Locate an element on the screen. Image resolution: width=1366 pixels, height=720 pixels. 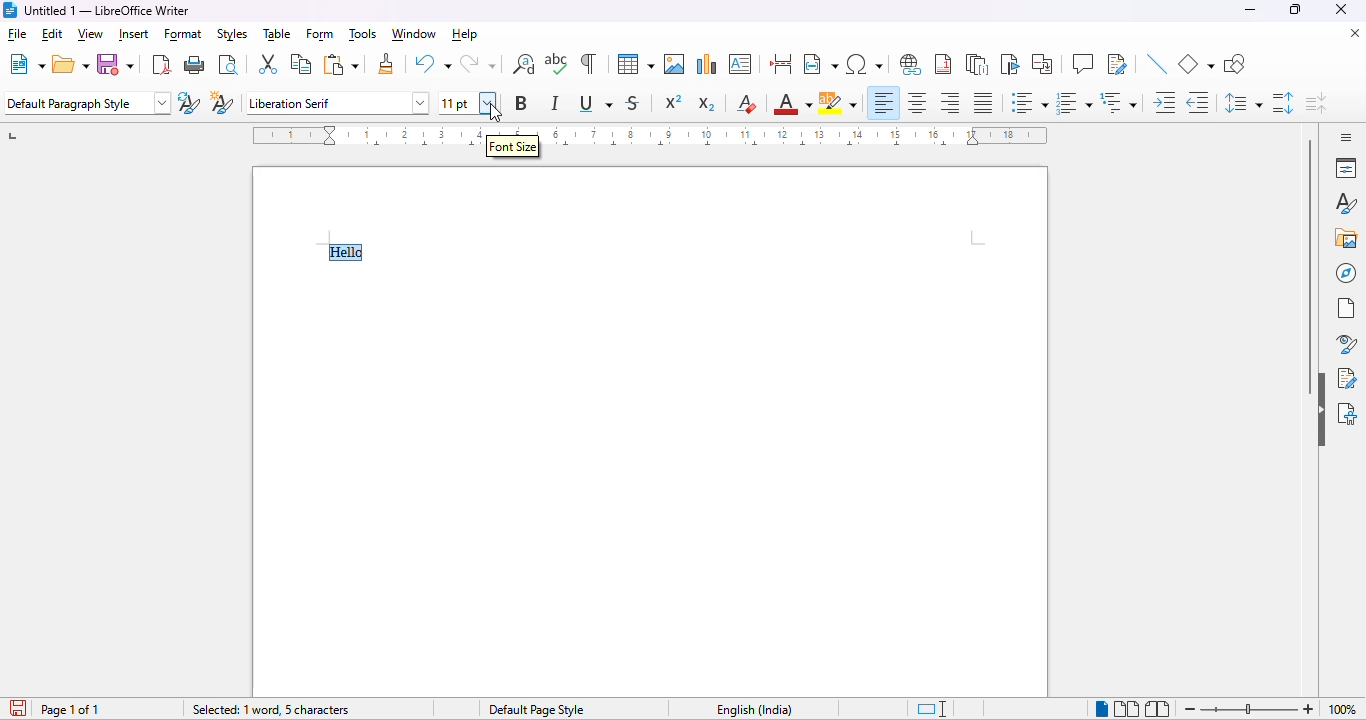
justified is located at coordinates (984, 103).